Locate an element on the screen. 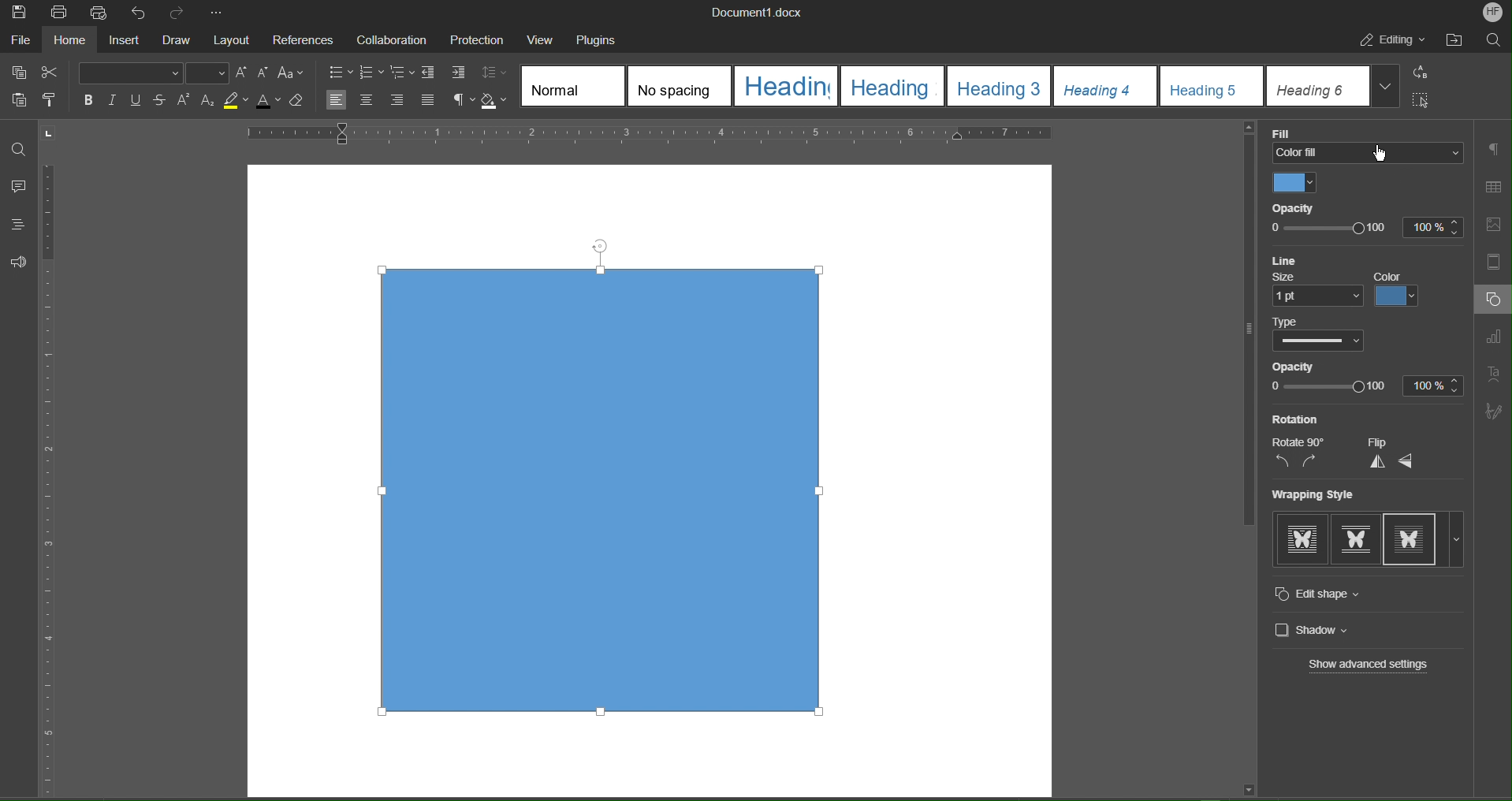  No spacing is located at coordinates (678, 85).